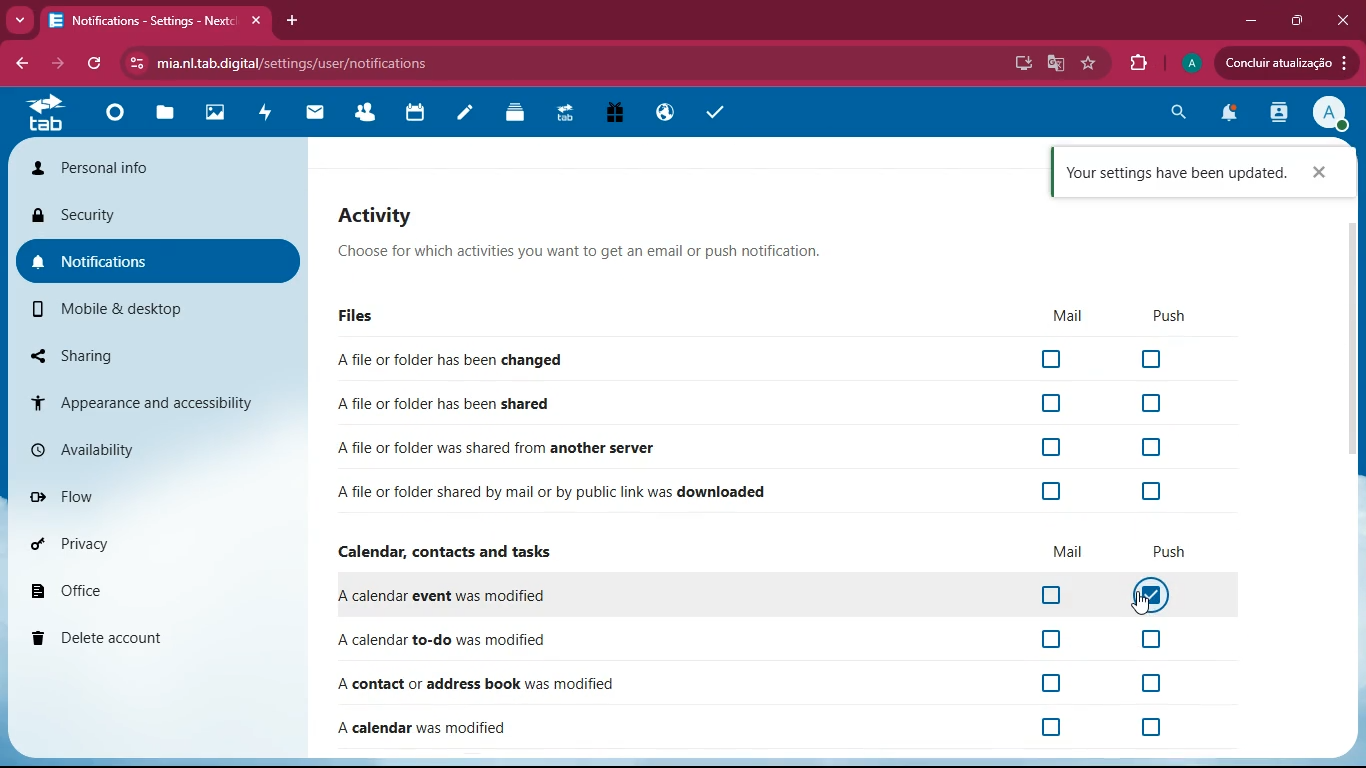 The width and height of the screenshot is (1366, 768). I want to click on mia.nltab.digital/settings/user/notifications, so click(300, 62).